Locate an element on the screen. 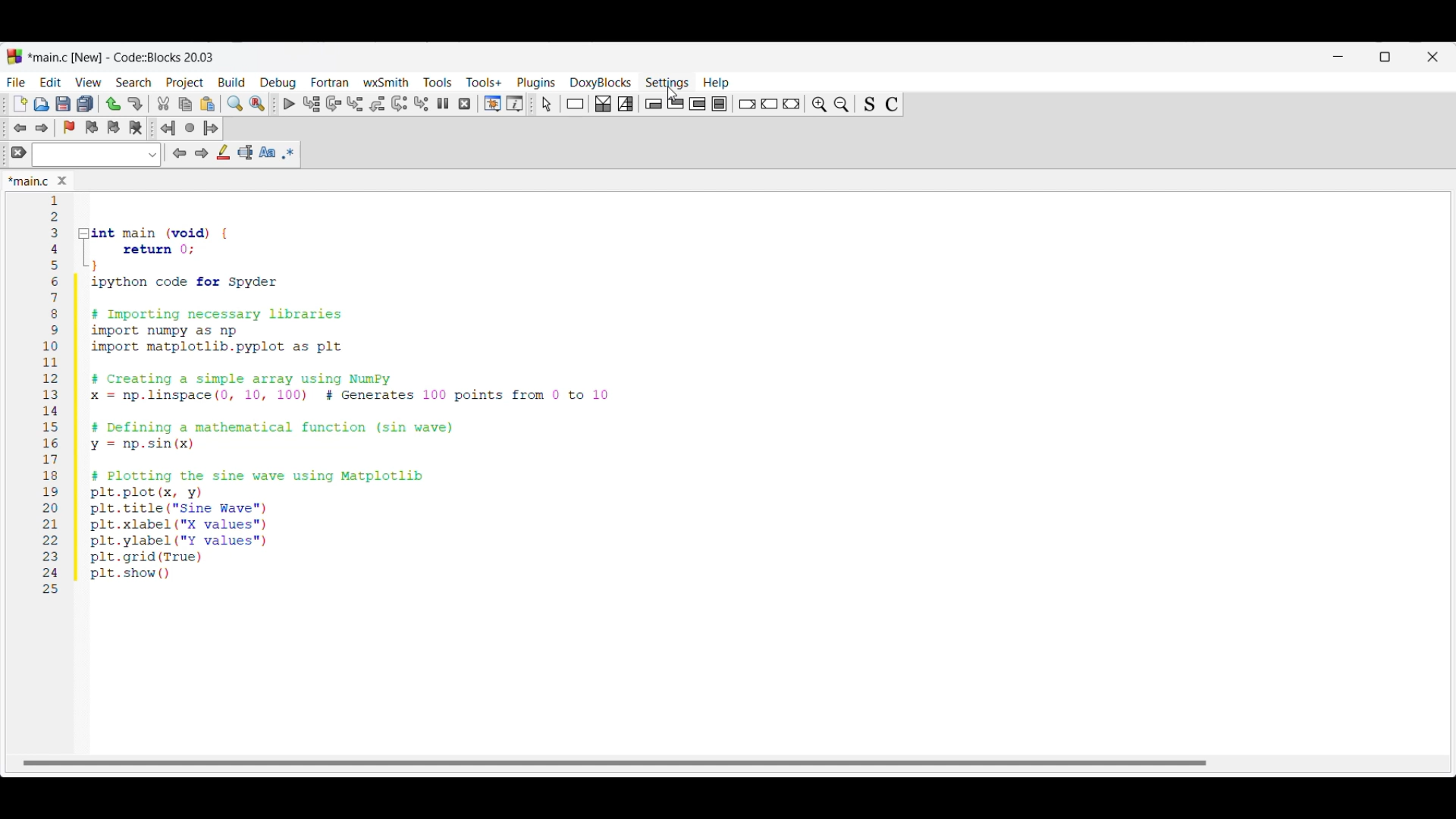 Image resolution: width=1456 pixels, height=819 pixels. File menu is located at coordinates (16, 82).